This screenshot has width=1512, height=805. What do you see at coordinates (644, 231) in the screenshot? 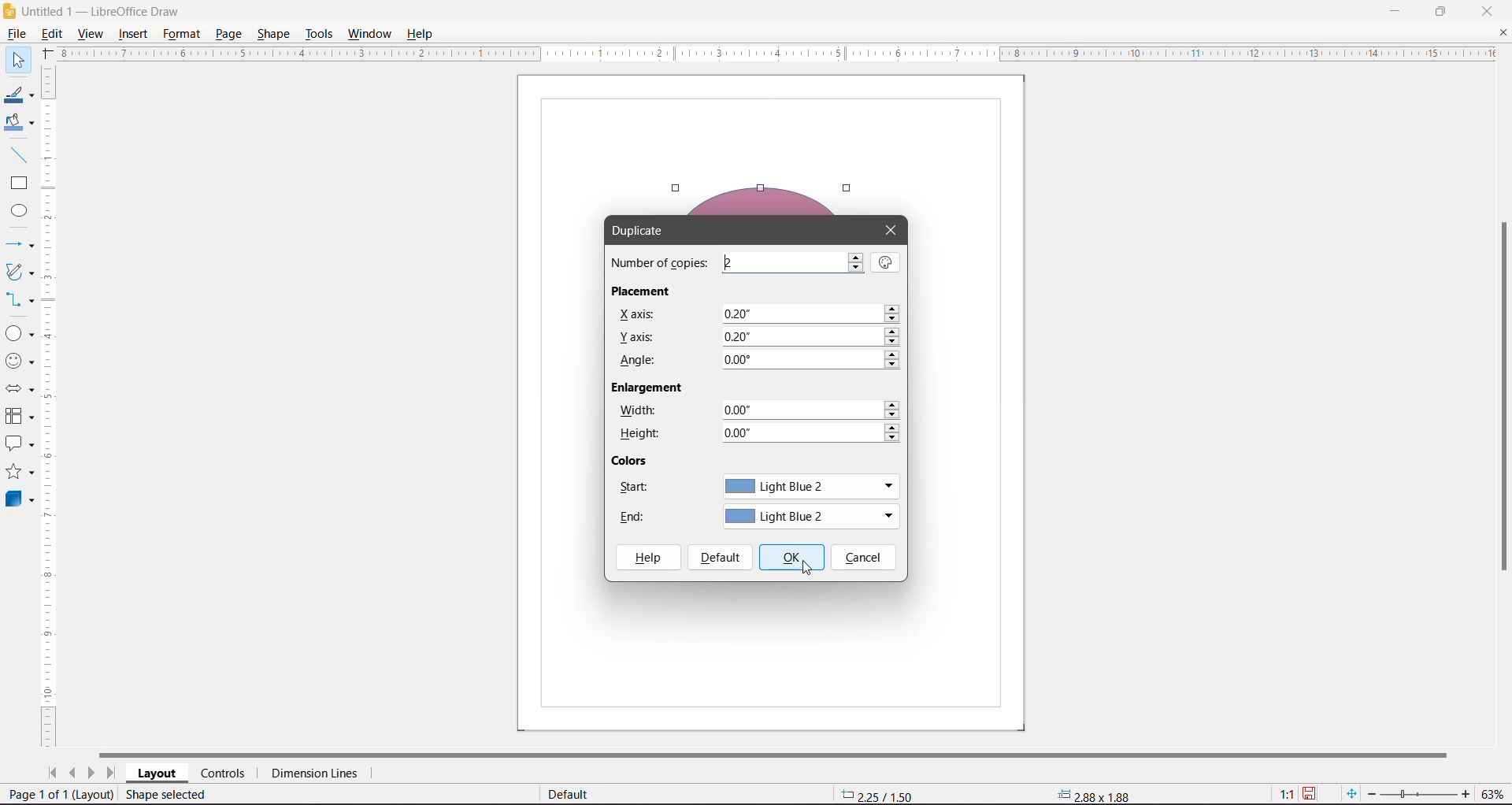
I see `Duplicate` at bounding box center [644, 231].